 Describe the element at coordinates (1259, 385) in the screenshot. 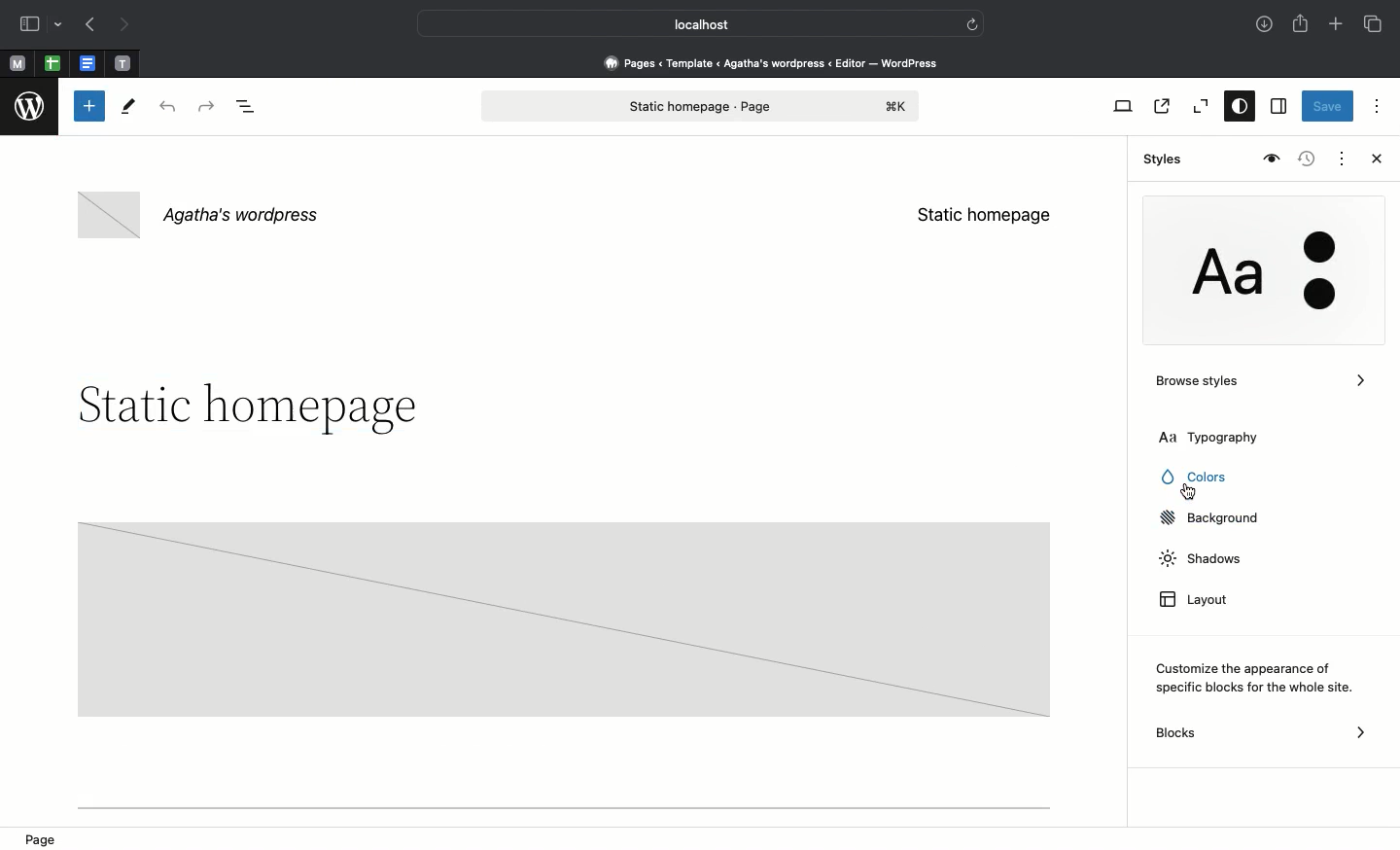

I see `Browse styles` at that location.